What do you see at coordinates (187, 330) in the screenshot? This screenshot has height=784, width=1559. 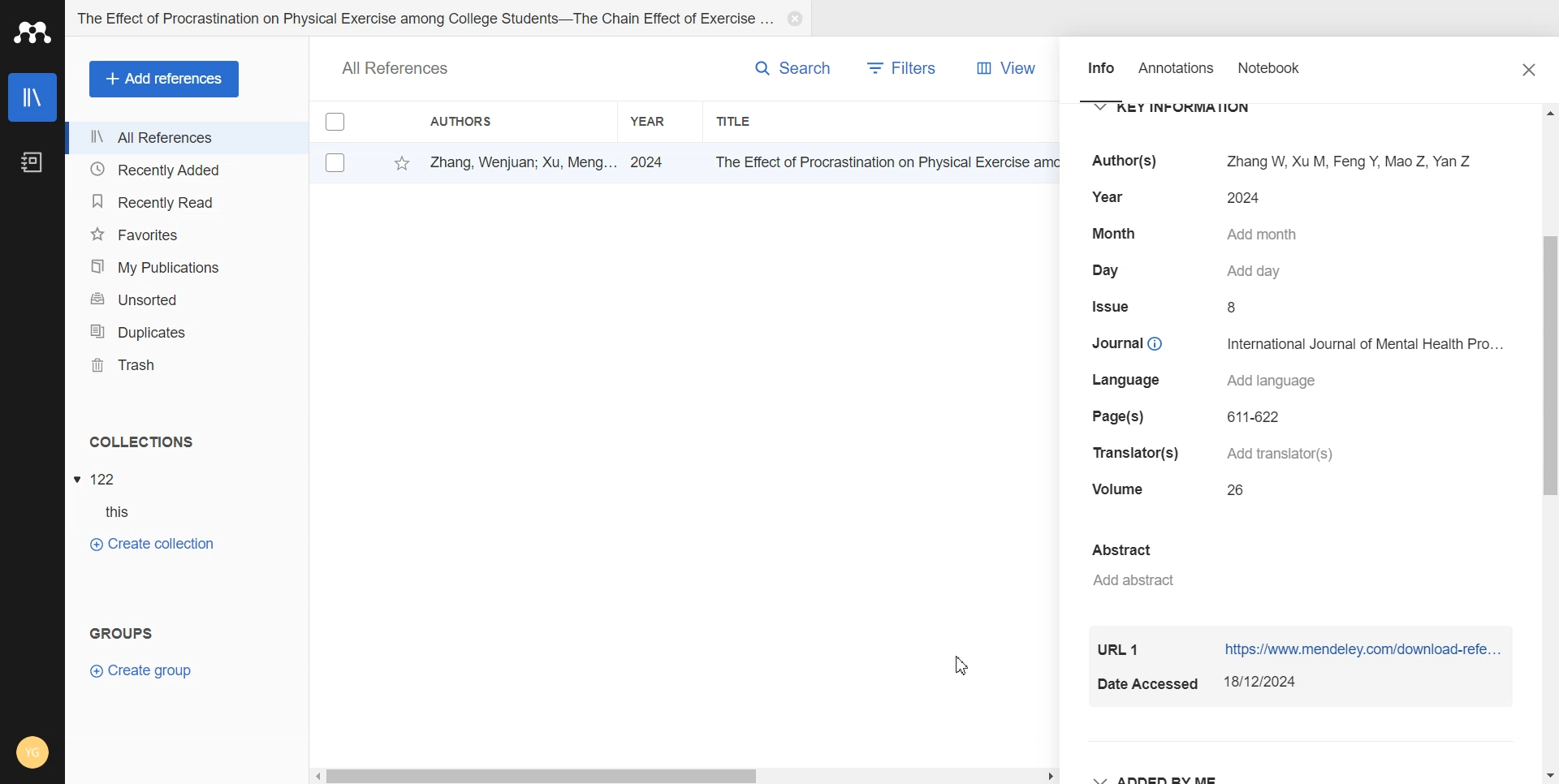 I see `Duplicates` at bounding box center [187, 330].